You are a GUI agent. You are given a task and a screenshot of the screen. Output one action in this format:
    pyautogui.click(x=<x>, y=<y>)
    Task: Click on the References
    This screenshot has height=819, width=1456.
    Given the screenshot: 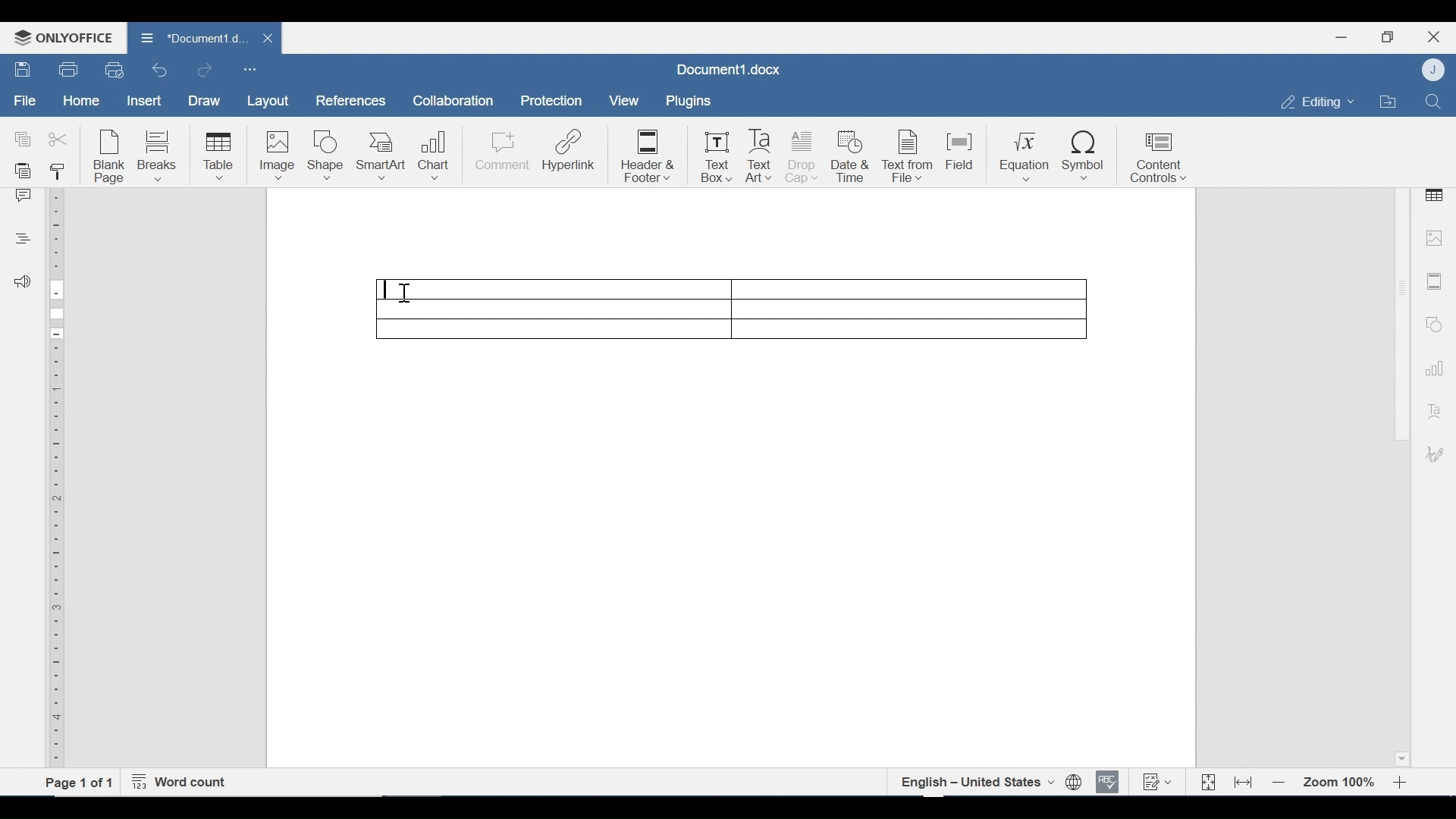 What is the action you would take?
    pyautogui.click(x=349, y=101)
    